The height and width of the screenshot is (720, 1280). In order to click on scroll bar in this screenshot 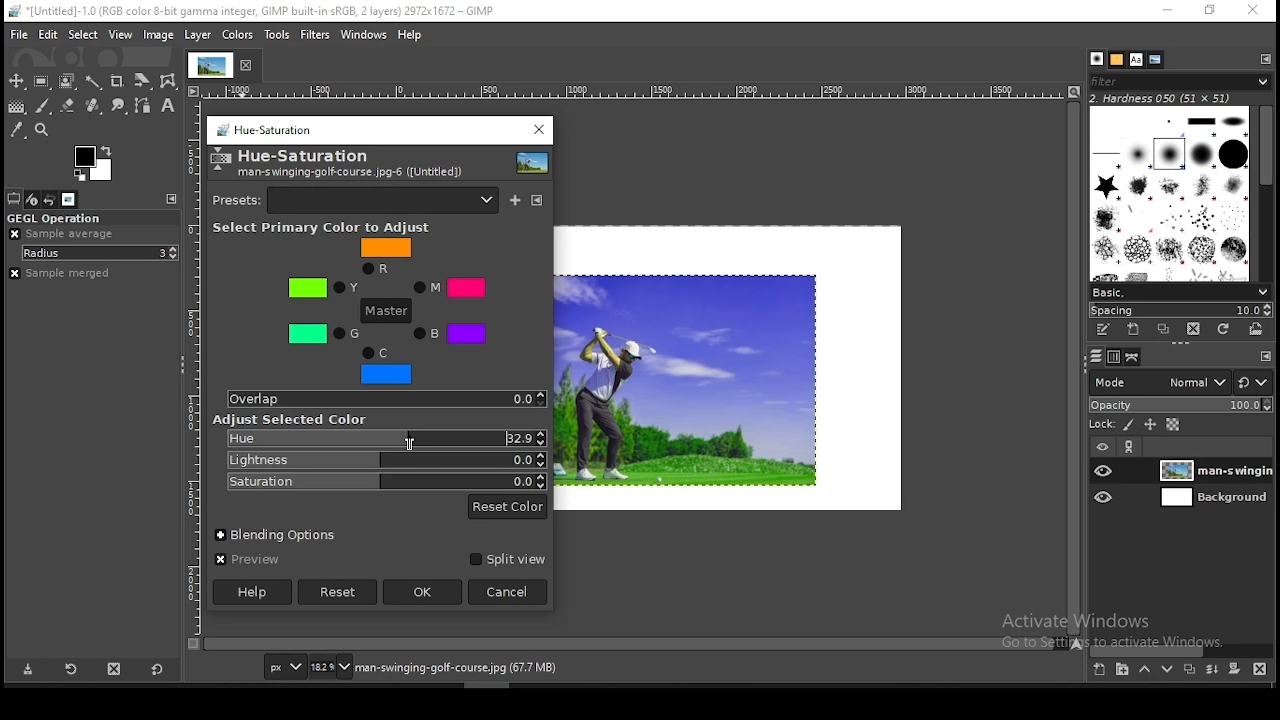, I will do `click(635, 644)`.